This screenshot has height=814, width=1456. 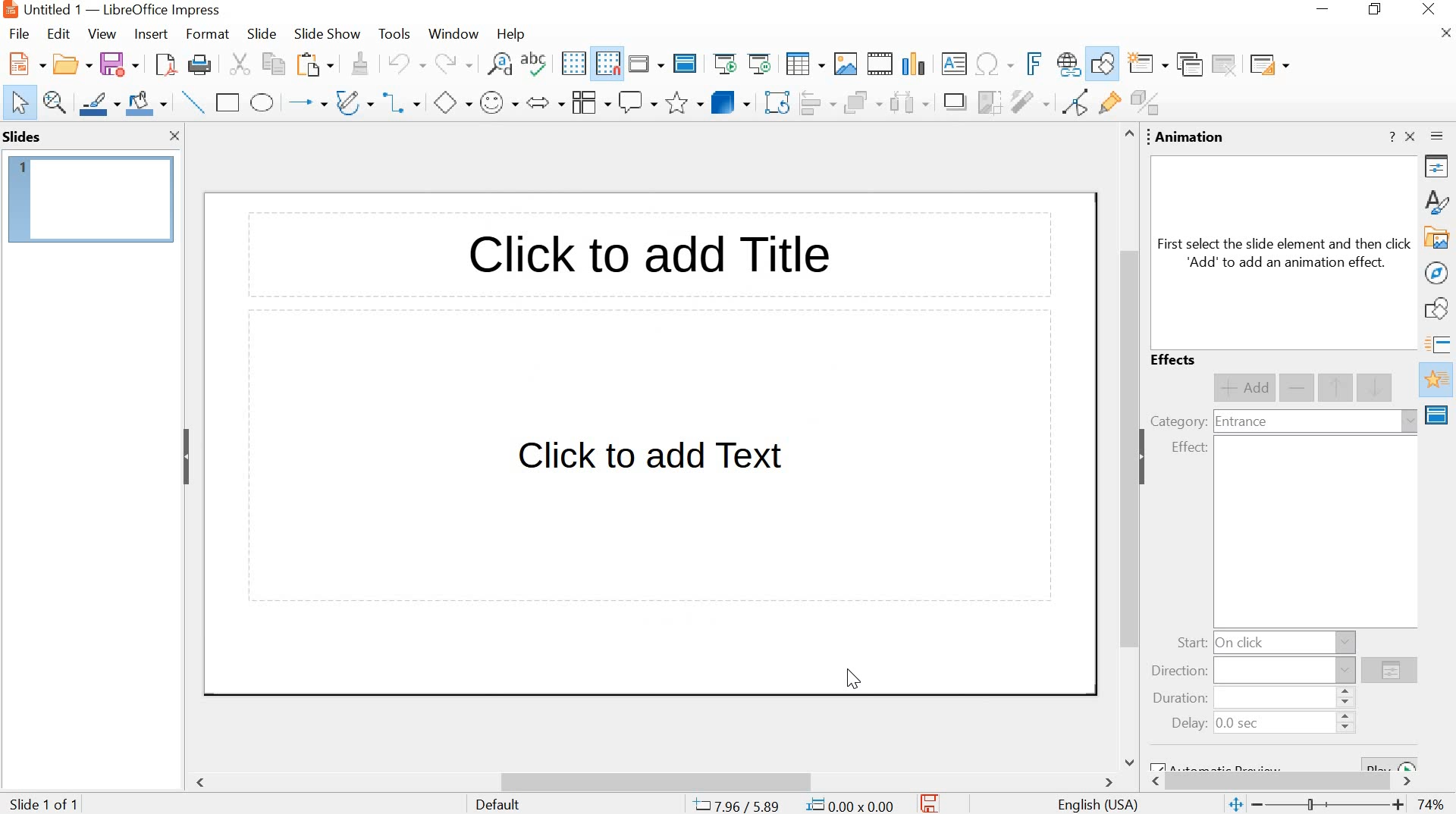 What do you see at coordinates (1125, 447) in the screenshot?
I see `scroll bar` at bounding box center [1125, 447].